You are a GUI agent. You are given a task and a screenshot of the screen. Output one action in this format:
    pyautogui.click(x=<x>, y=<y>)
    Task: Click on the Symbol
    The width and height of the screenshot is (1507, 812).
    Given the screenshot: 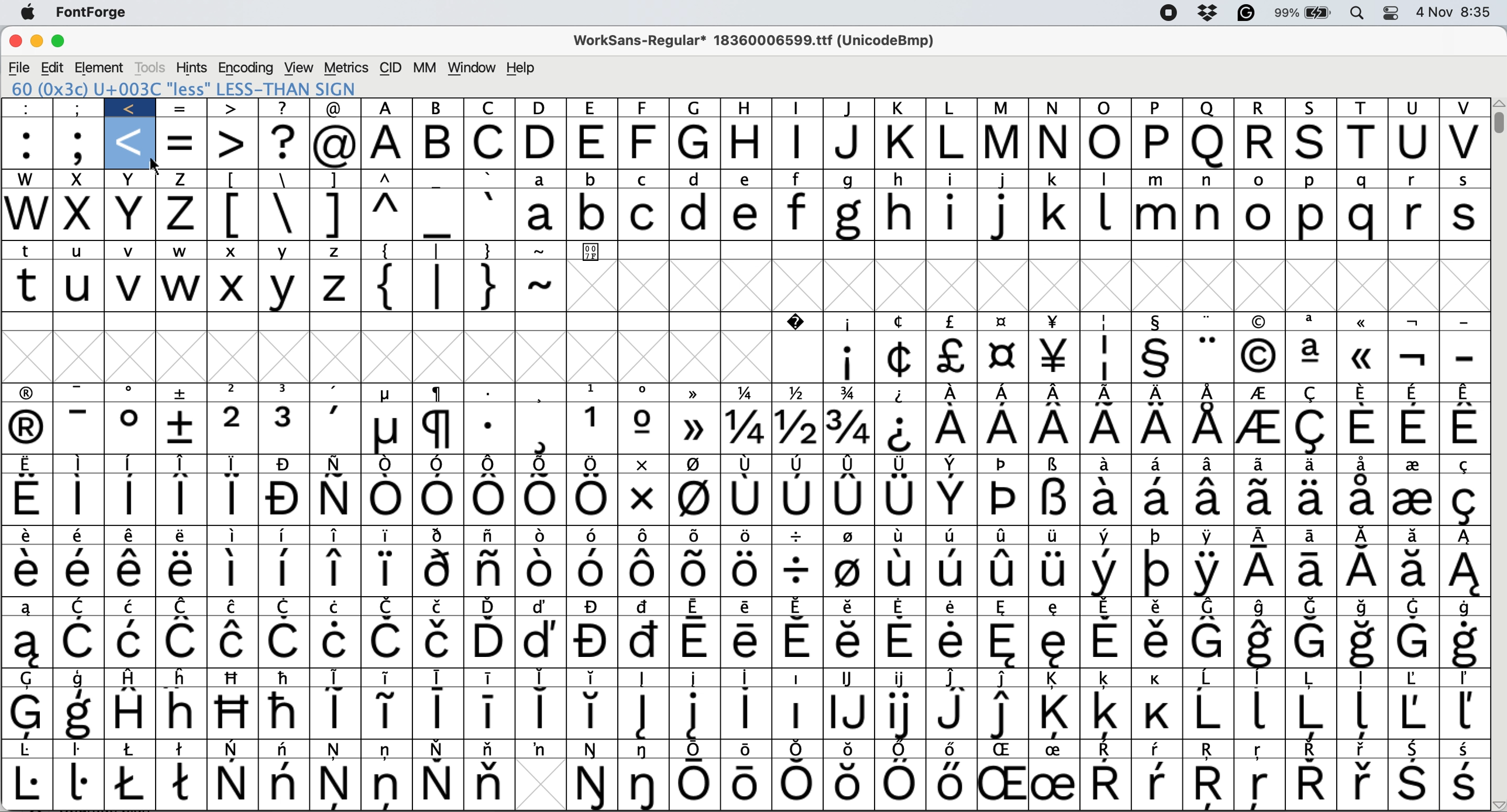 What is the action you would take?
    pyautogui.click(x=1105, y=357)
    